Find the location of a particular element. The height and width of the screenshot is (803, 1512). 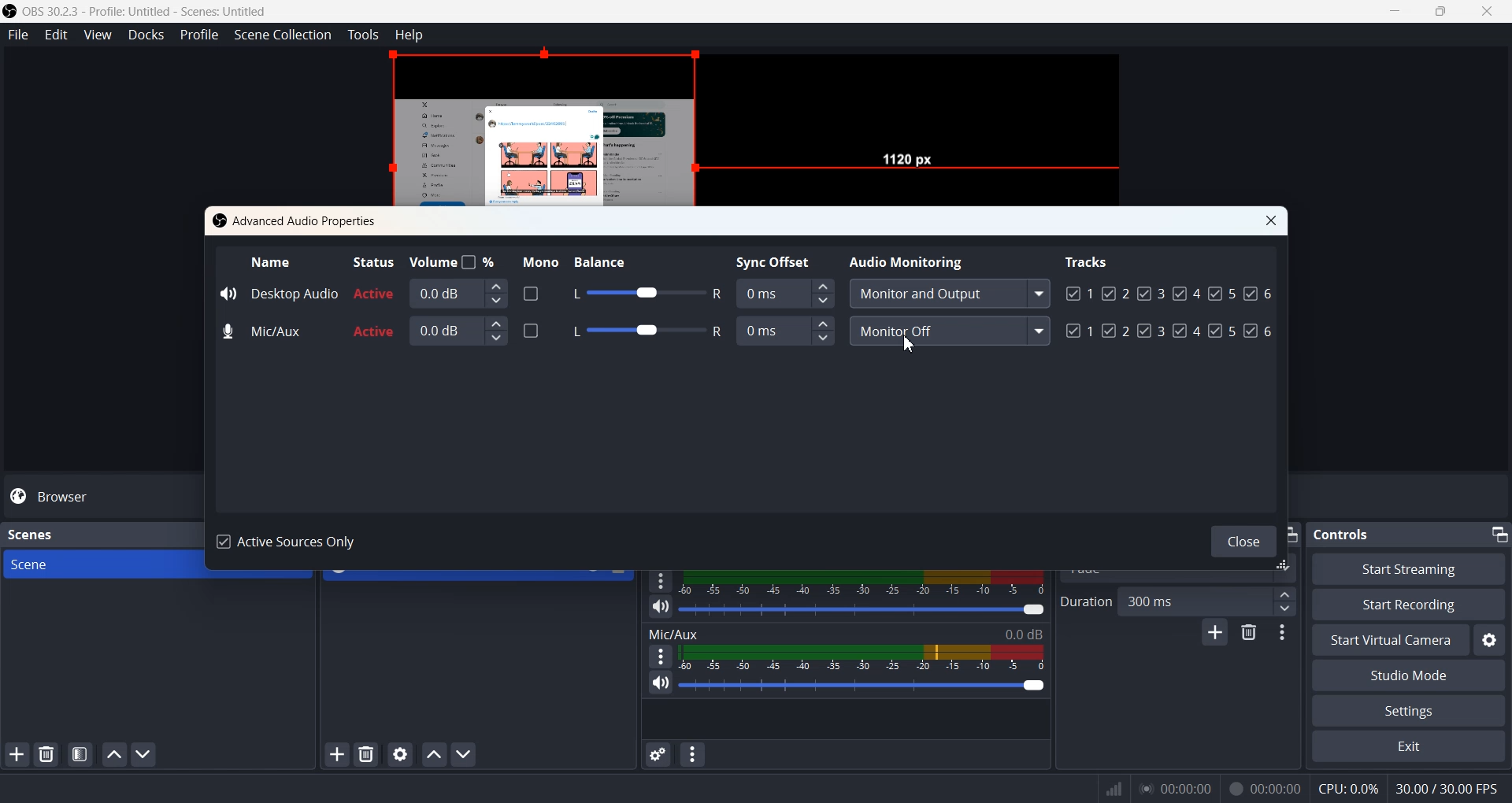

Move sources down is located at coordinates (465, 755).